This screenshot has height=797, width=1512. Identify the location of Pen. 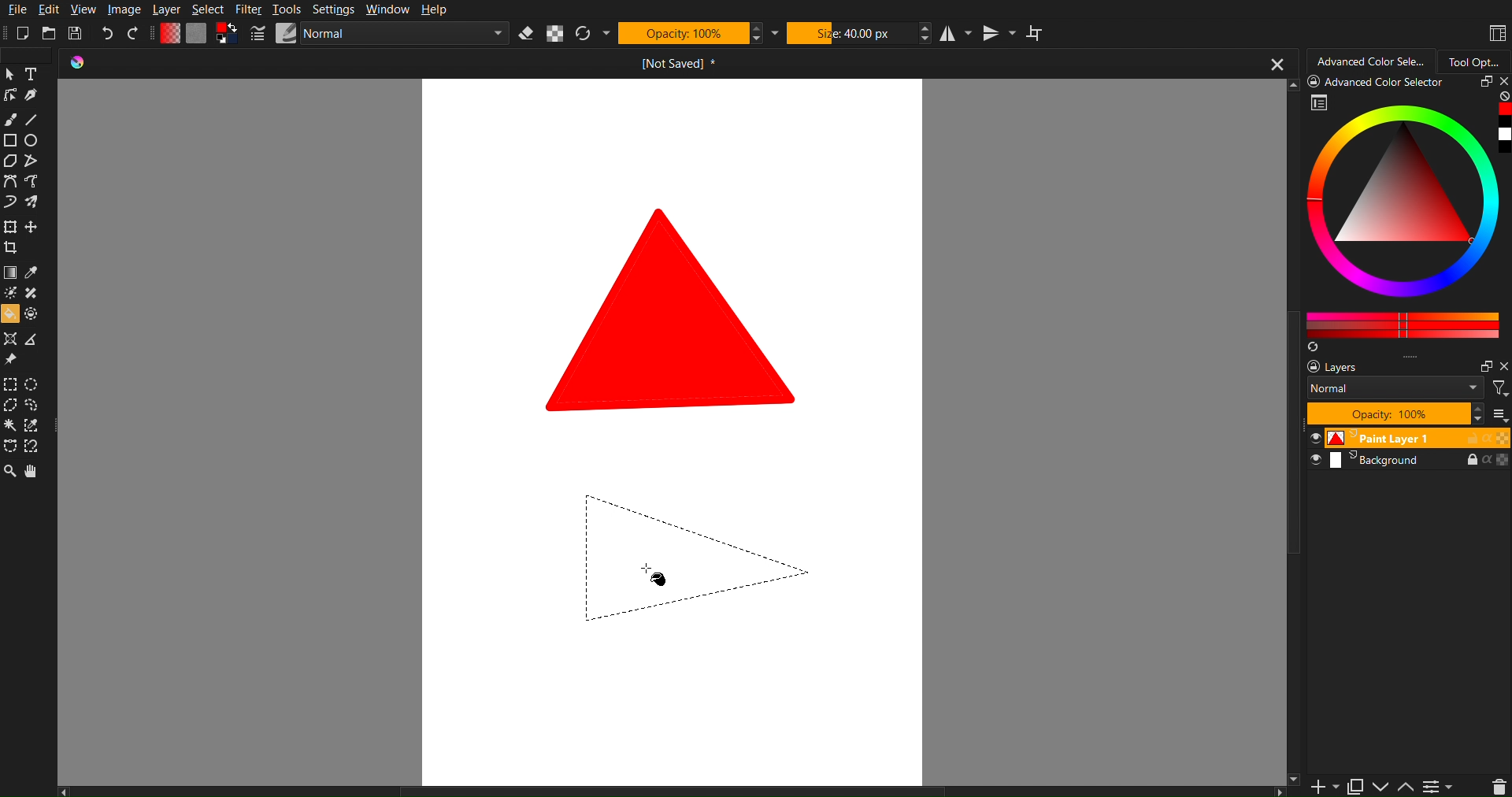
(32, 97).